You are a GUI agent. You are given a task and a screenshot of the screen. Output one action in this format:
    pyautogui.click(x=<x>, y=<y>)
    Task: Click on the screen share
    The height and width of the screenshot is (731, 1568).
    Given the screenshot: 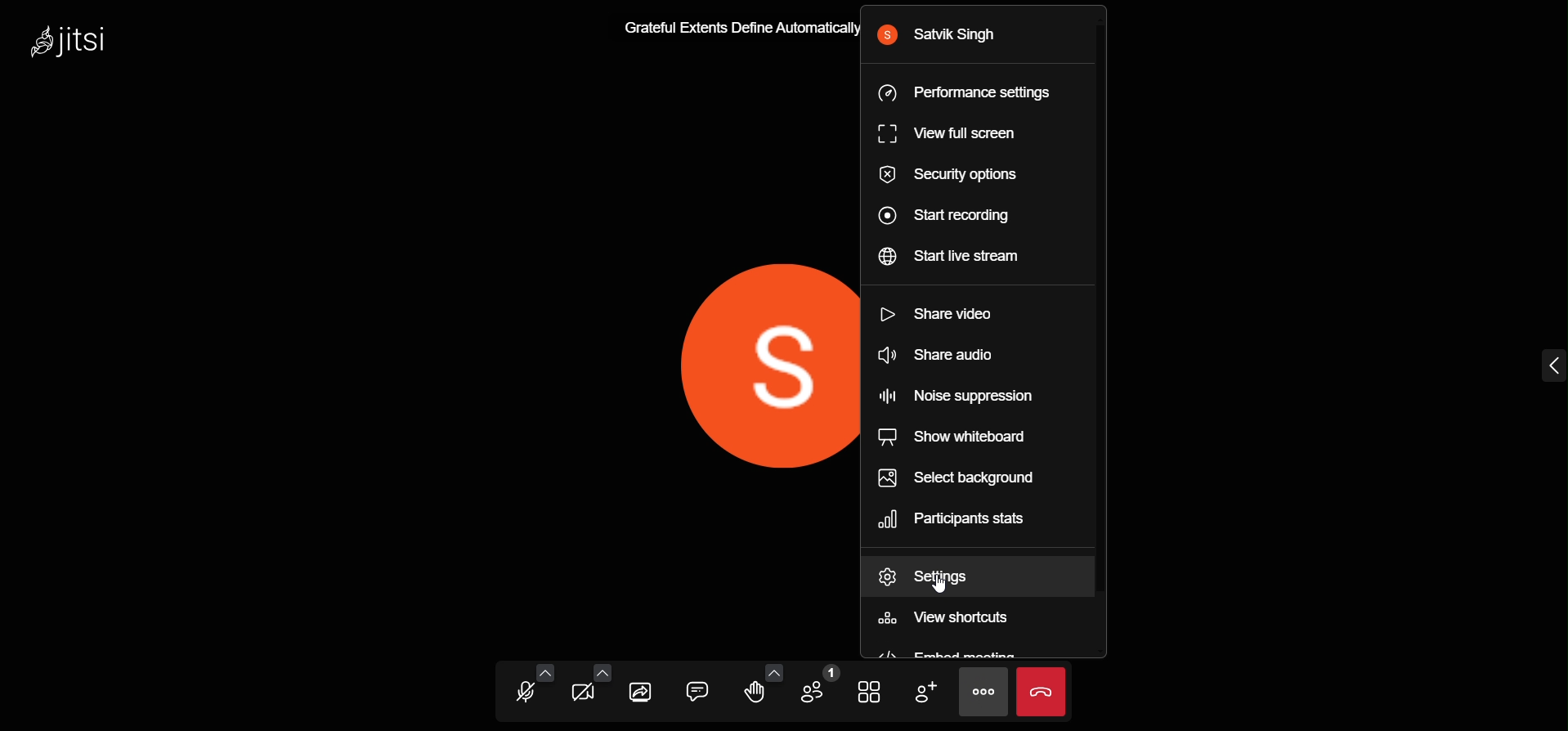 What is the action you would take?
    pyautogui.click(x=639, y=693)
    